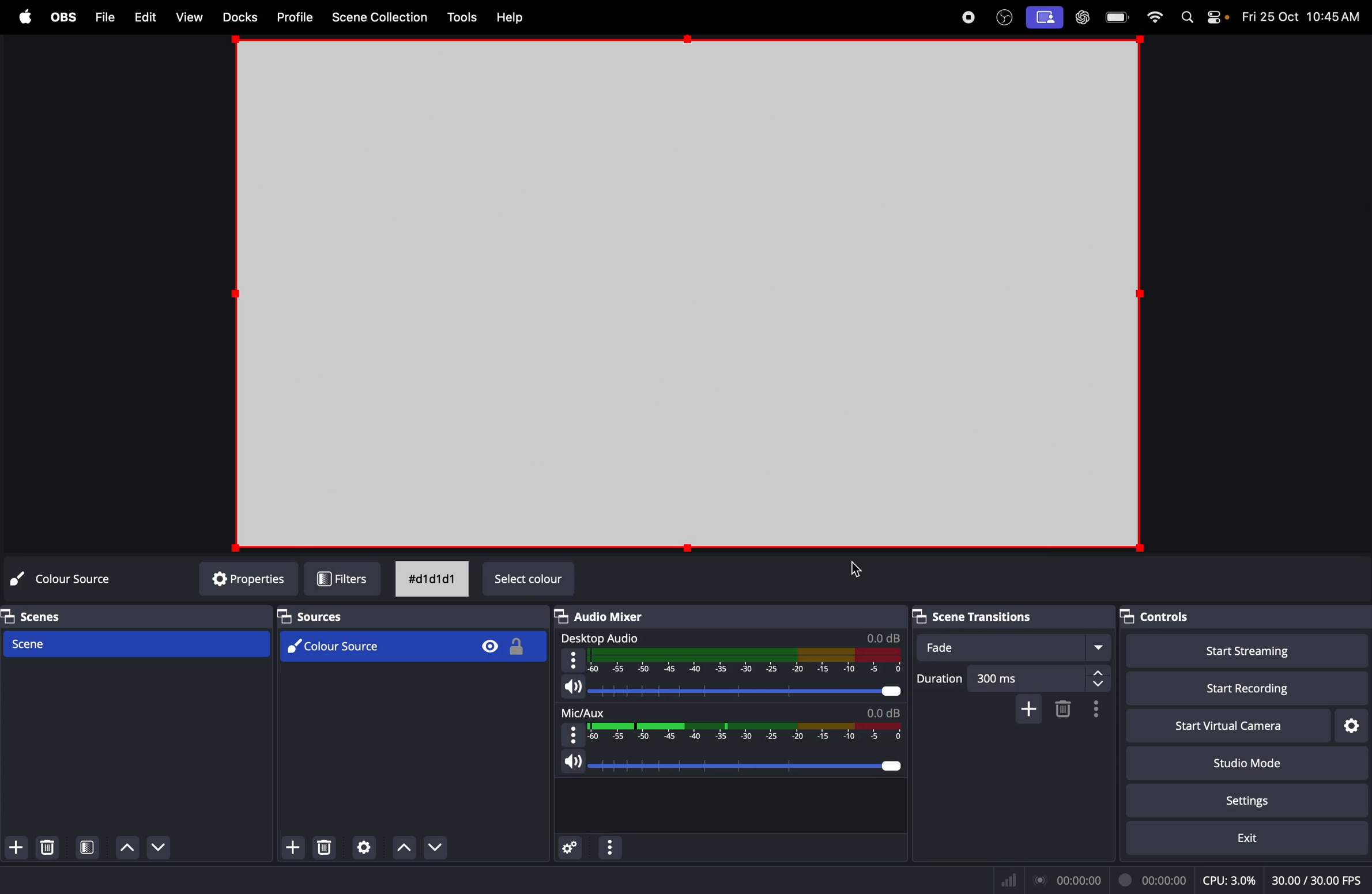 This screenshot has height=894, width=1372. I want to click on Scene collection, so click(383, 16).